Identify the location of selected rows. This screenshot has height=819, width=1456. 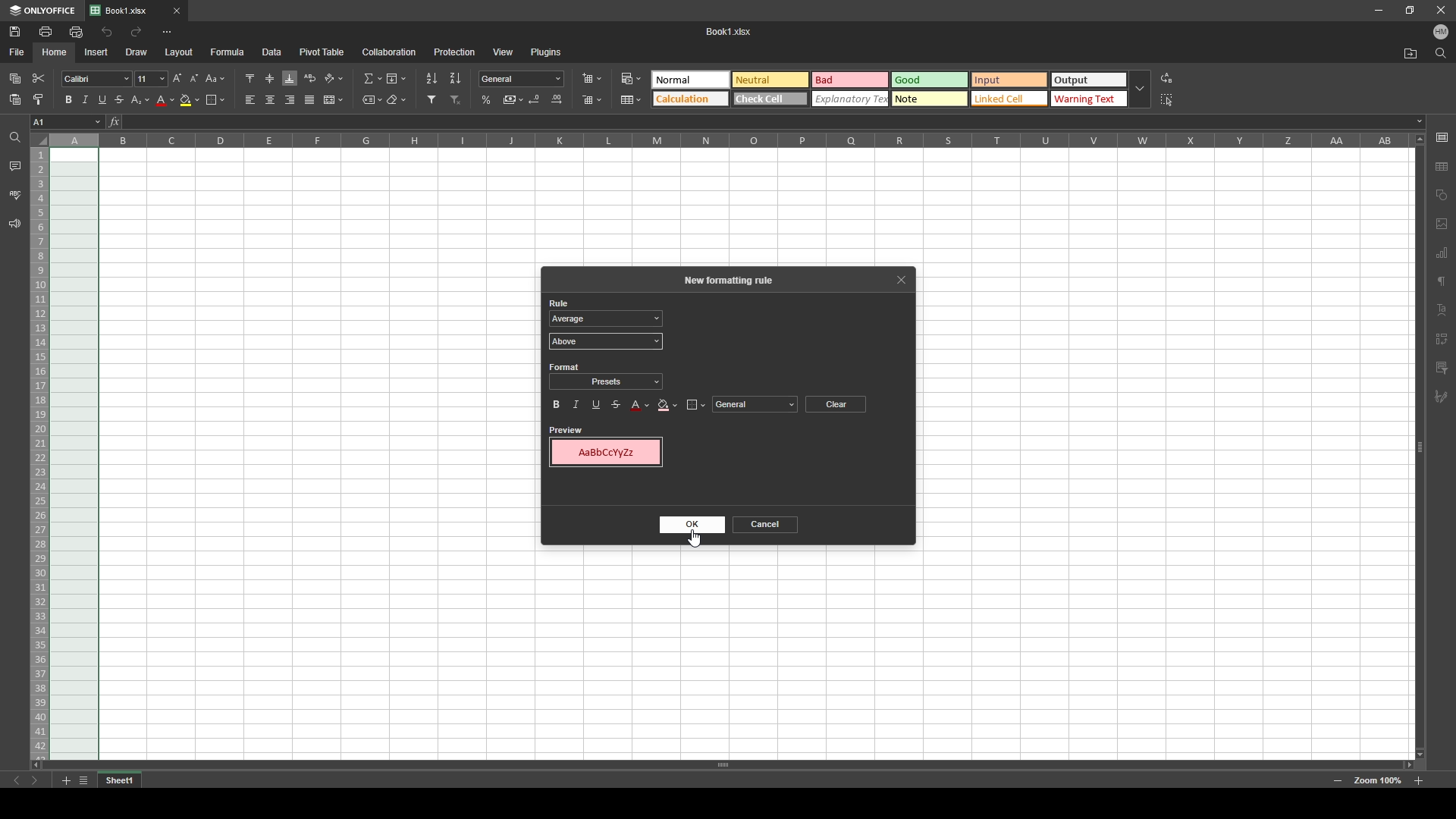
(38, 454).